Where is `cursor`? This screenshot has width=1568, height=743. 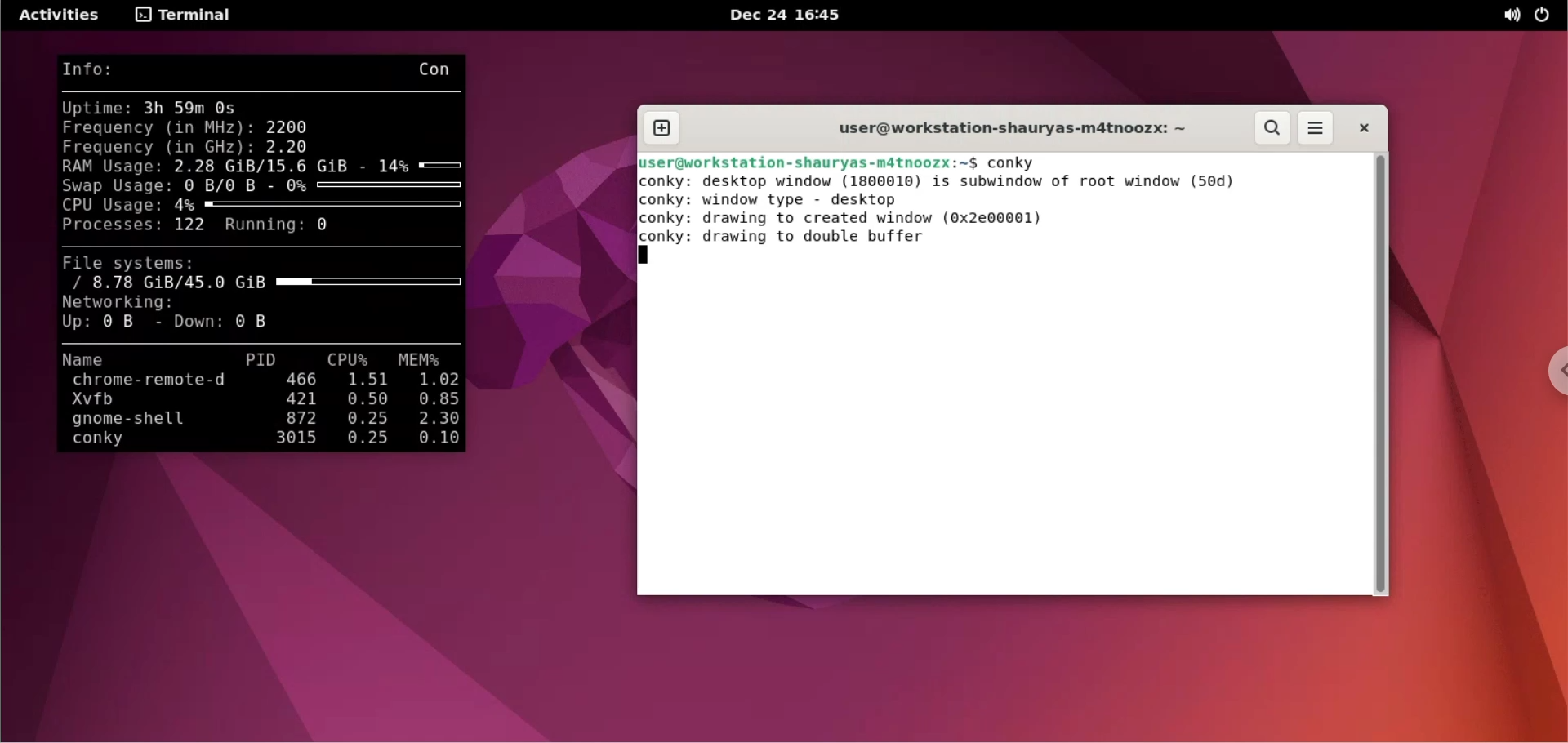
cursor is located at coordinates (649, 257).